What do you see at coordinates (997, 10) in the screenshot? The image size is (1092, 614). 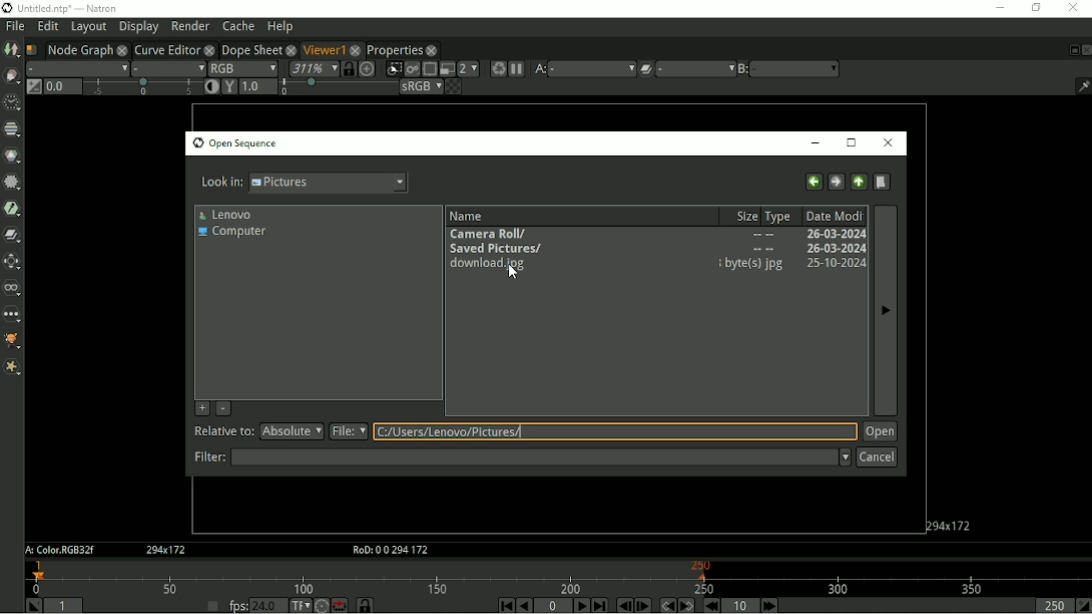 I see `Minimize` at bounding box center [997, 10].